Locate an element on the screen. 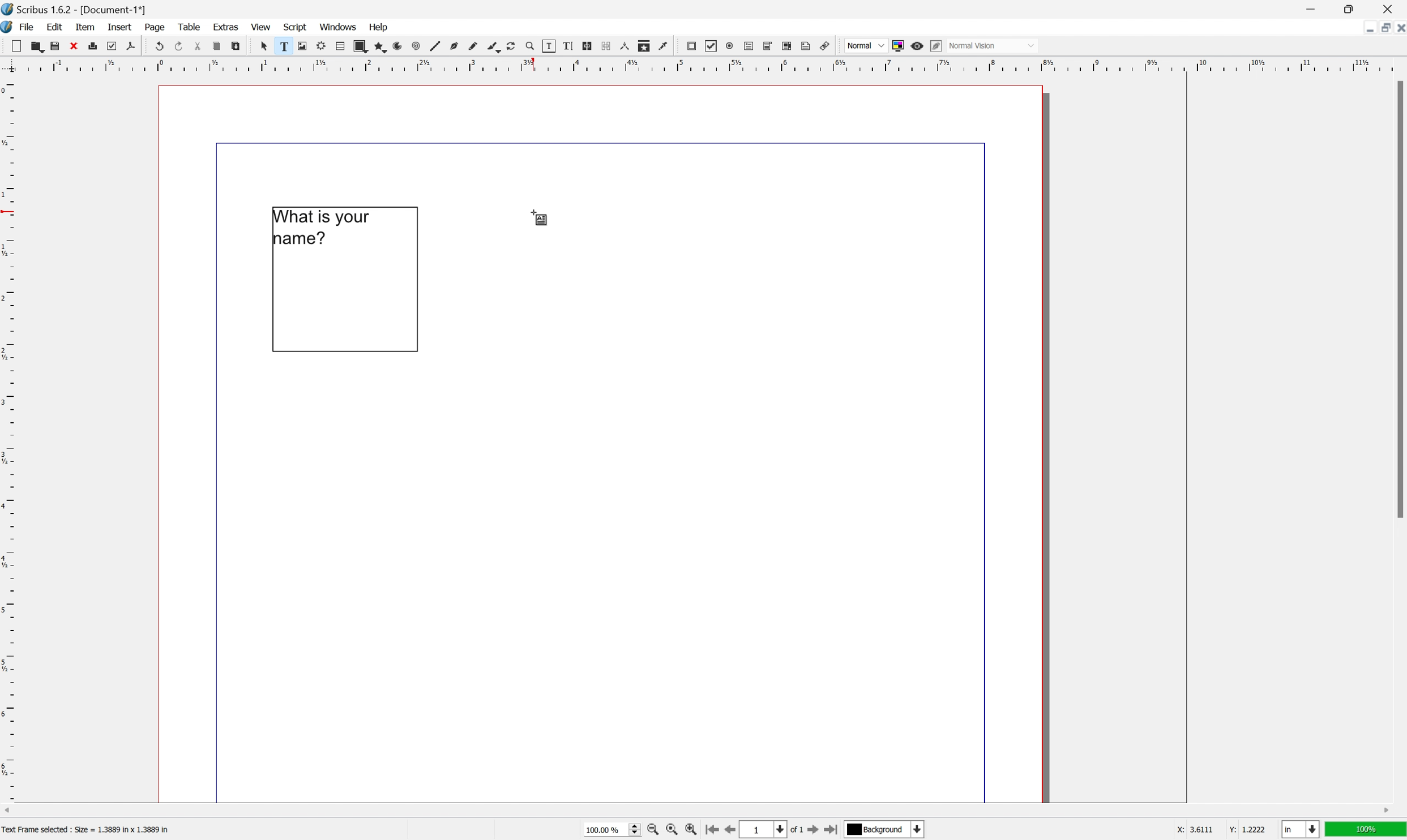 Image resolution: width=1407 pixels, height=840 pixels. eye dropper is located at coordinates (664, 46).